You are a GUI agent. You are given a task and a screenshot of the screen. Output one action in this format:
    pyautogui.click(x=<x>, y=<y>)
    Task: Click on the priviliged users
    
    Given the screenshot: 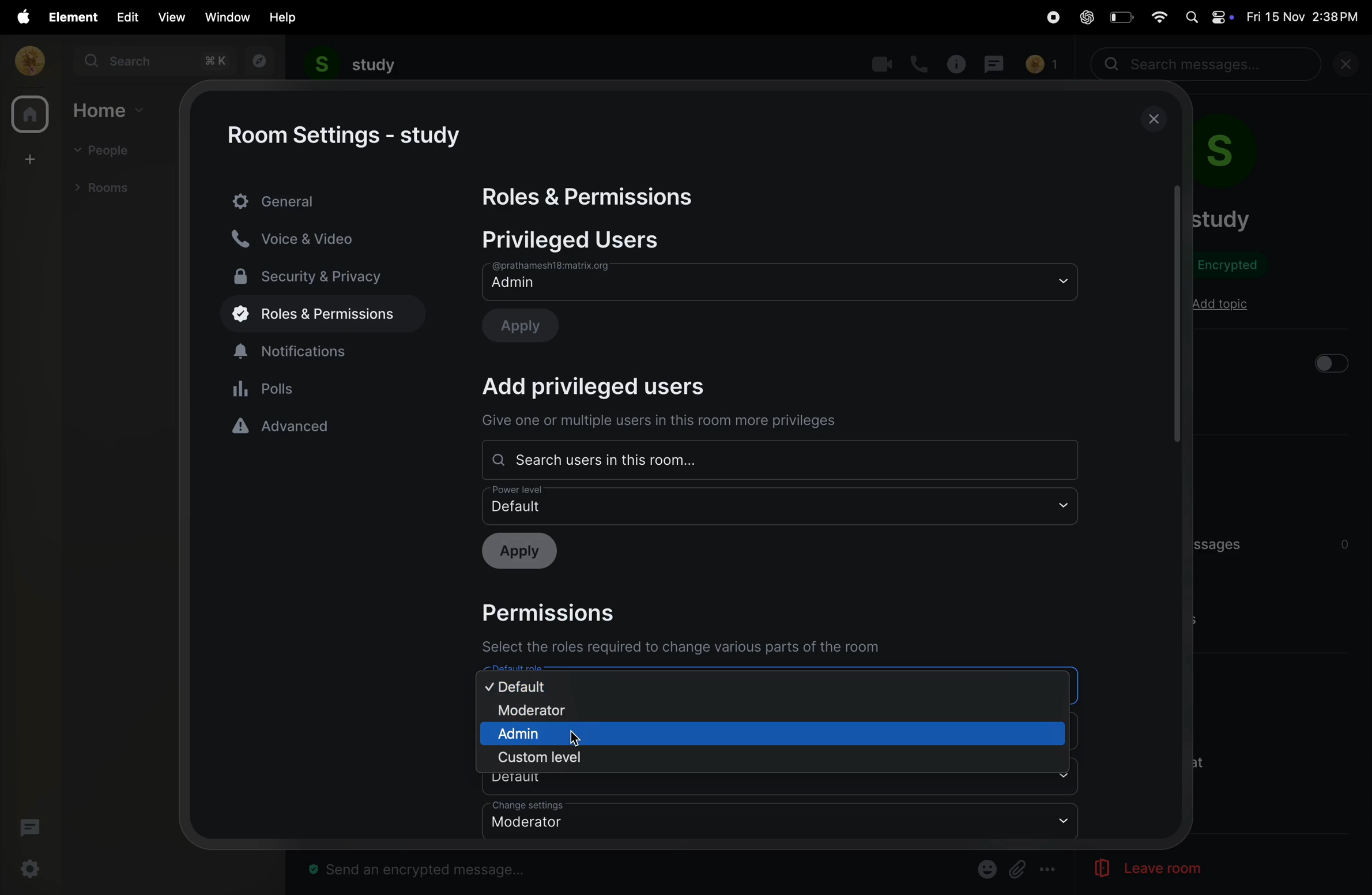 What is the action you would take?
    pyautogui.click(x=583, y=240)
    